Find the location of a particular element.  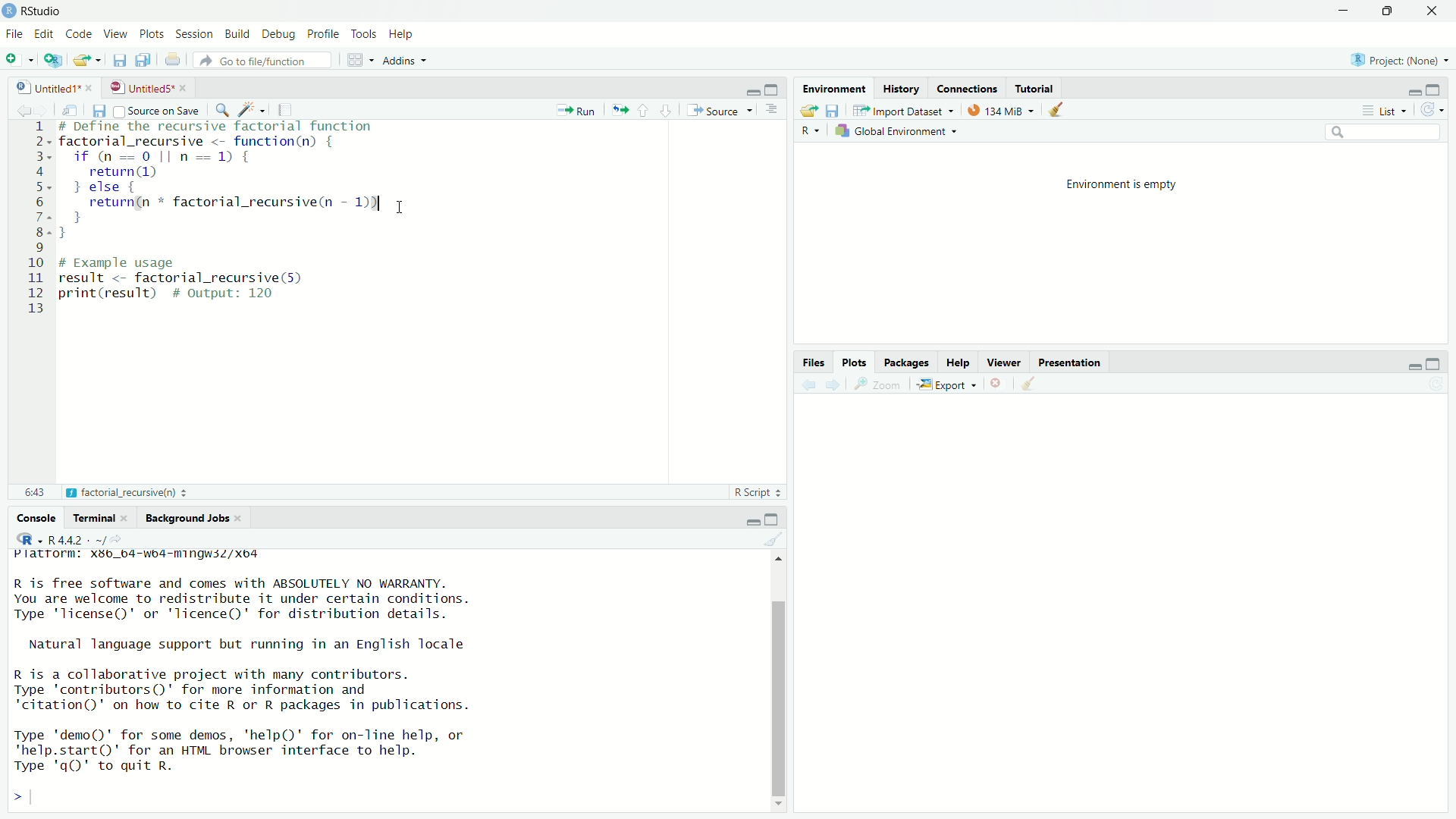

Create a project is located at coordinates (54, 61).